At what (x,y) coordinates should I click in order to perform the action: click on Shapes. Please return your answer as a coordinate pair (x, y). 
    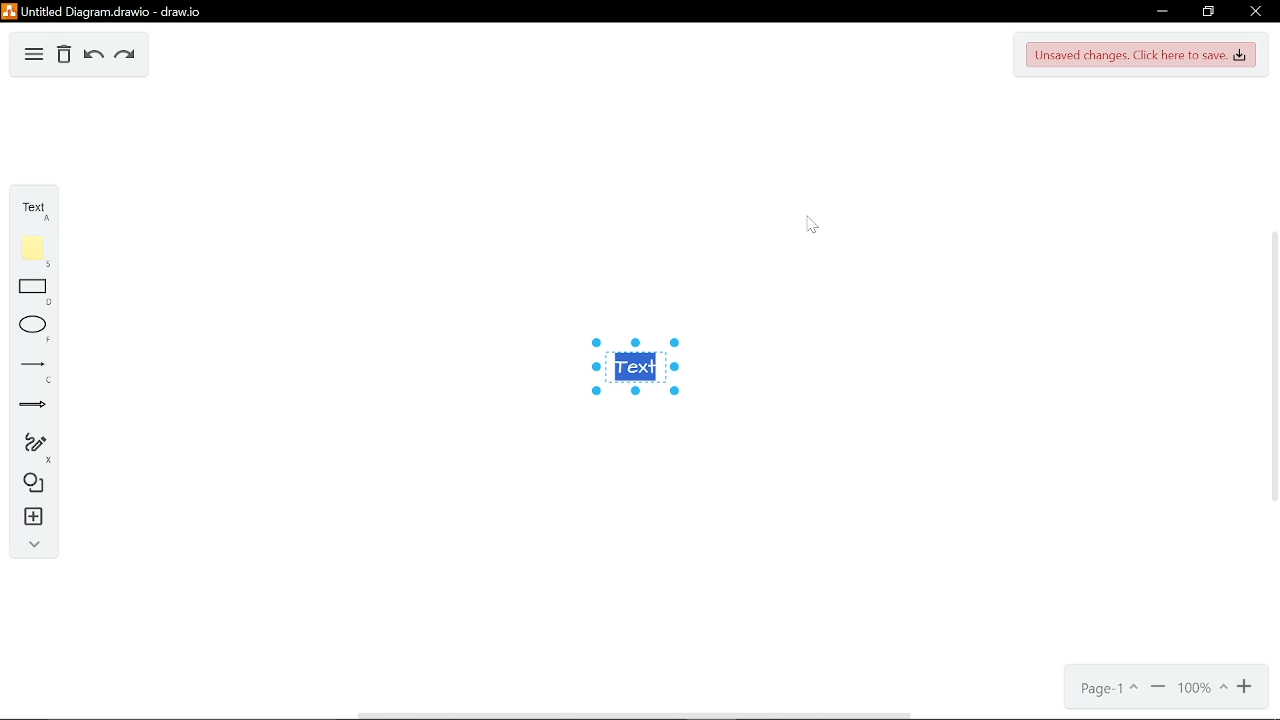
    Looking at the image, I should click on (27, 486).